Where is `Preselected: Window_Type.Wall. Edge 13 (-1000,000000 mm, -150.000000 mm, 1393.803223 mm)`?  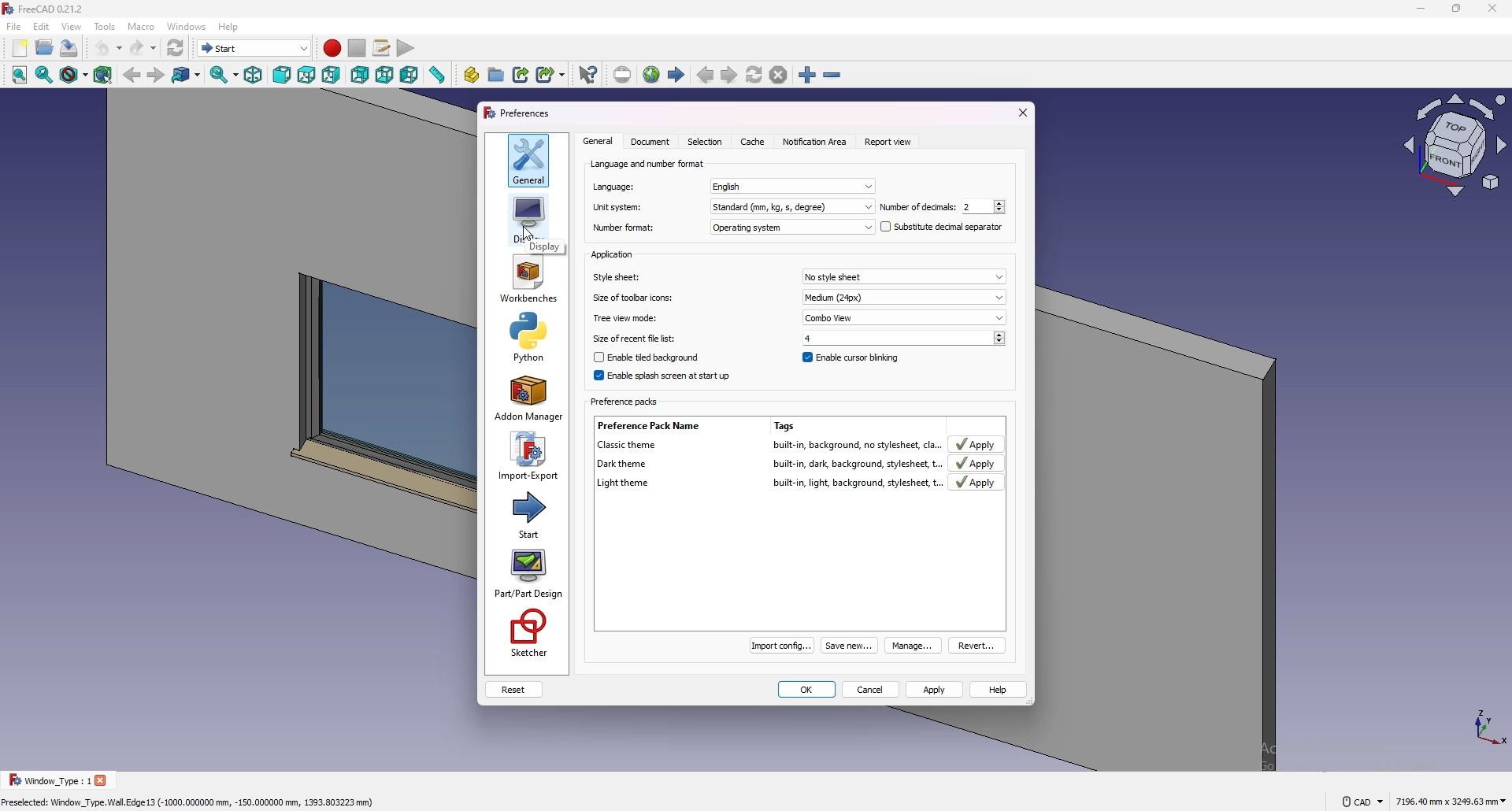
Preselected: Window_Type.Wall. Edge 13 (-1000,000000 mm, -150.000000 mm, 1393.803223 mm) is located at coordinates (191, 800).